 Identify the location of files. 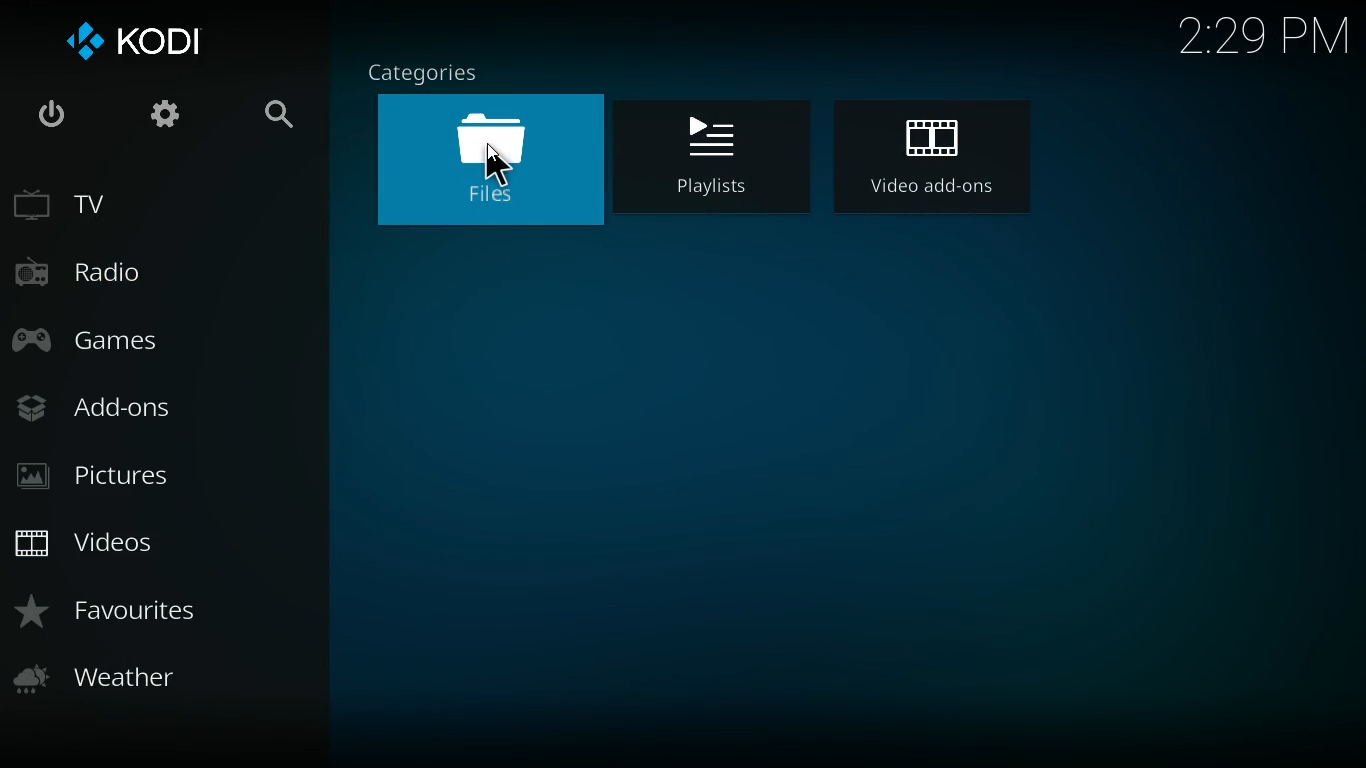
(489, 161).